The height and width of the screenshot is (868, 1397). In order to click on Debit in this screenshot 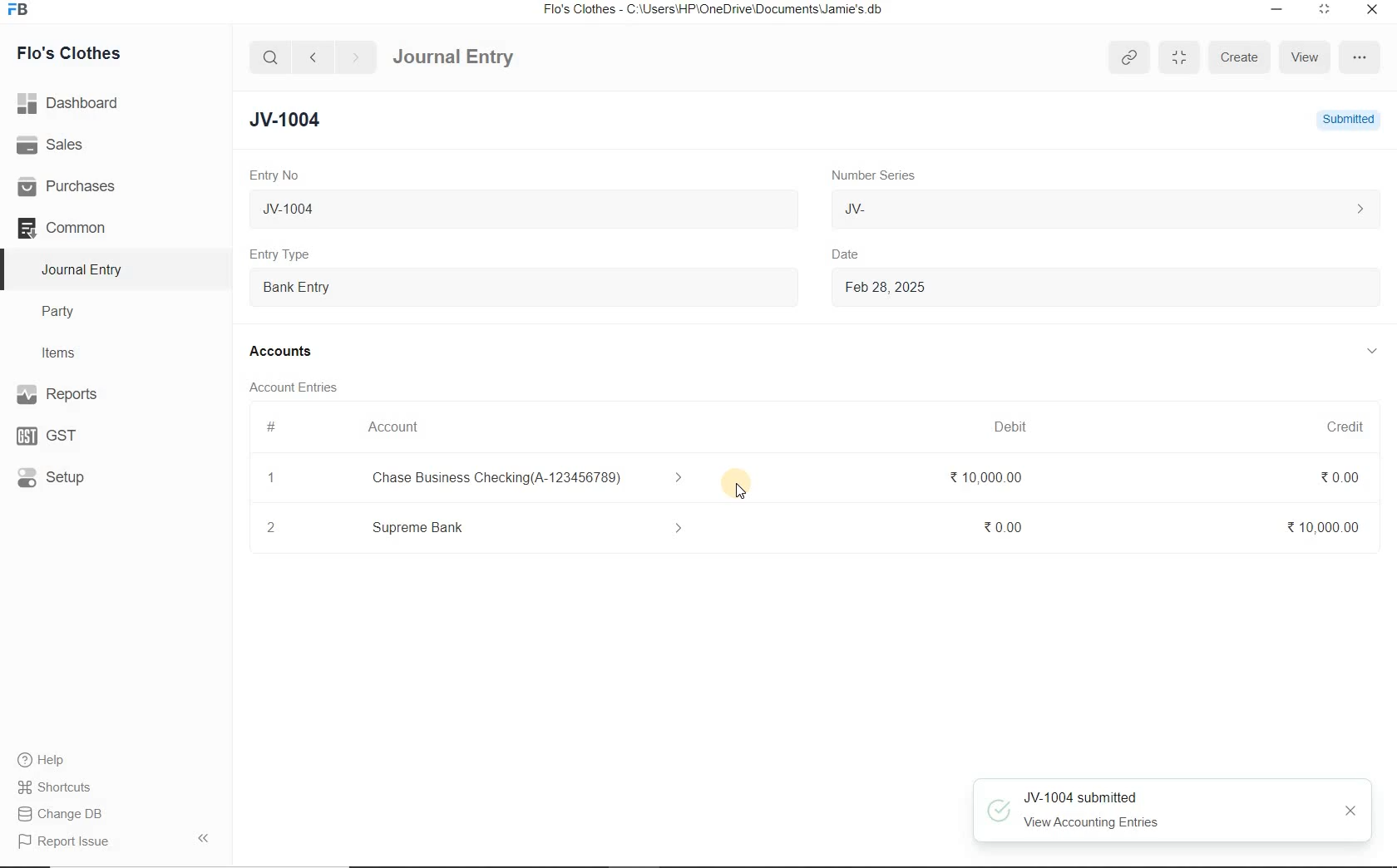, I will do `click(1012, 427)`.